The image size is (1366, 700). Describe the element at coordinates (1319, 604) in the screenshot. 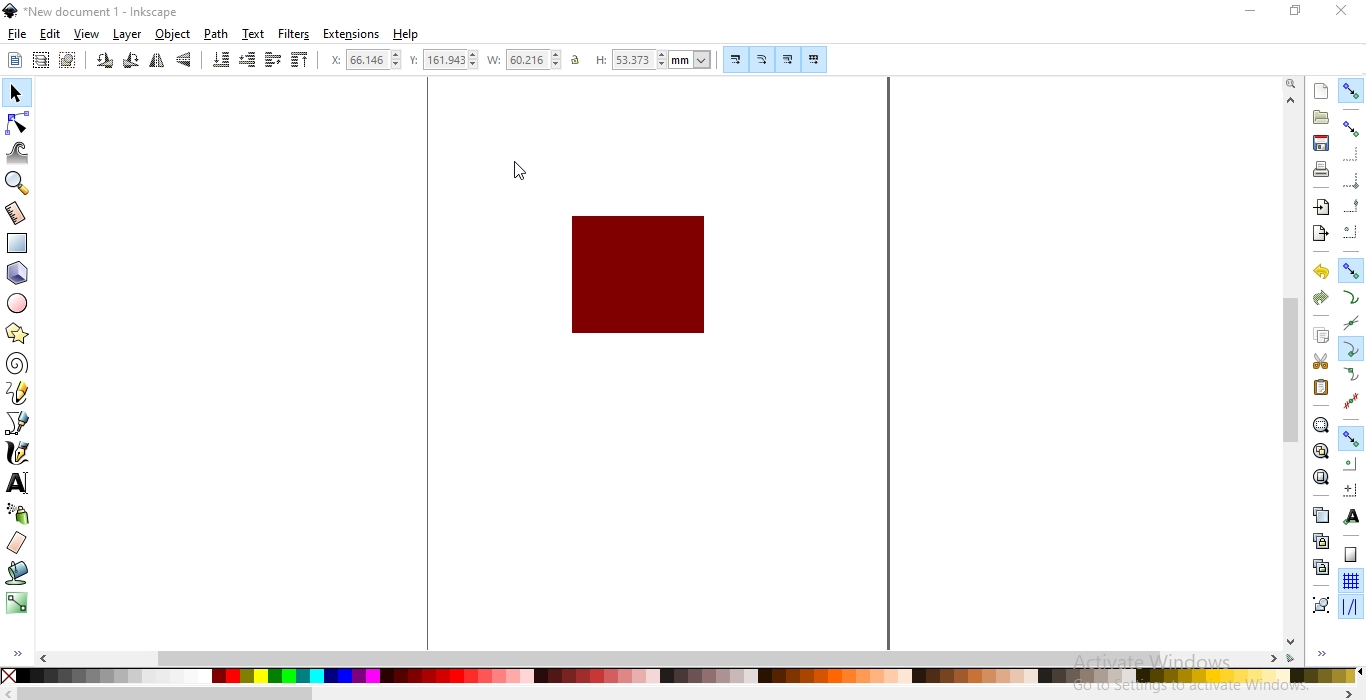

I see `group selected objects` at that location.